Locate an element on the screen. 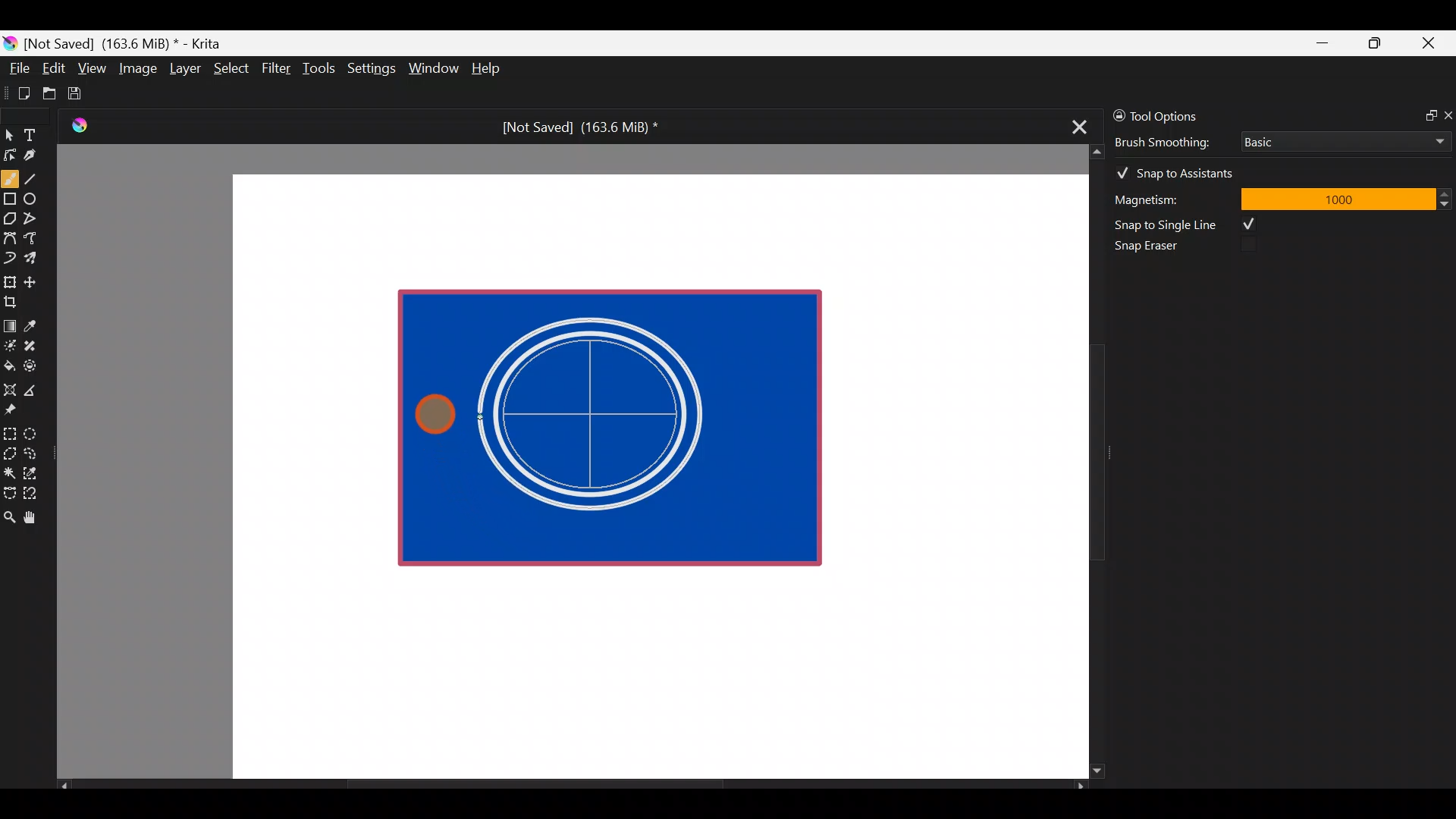 The image size is (1456, 819). Reference images tool is located at coordinates (15, 408).